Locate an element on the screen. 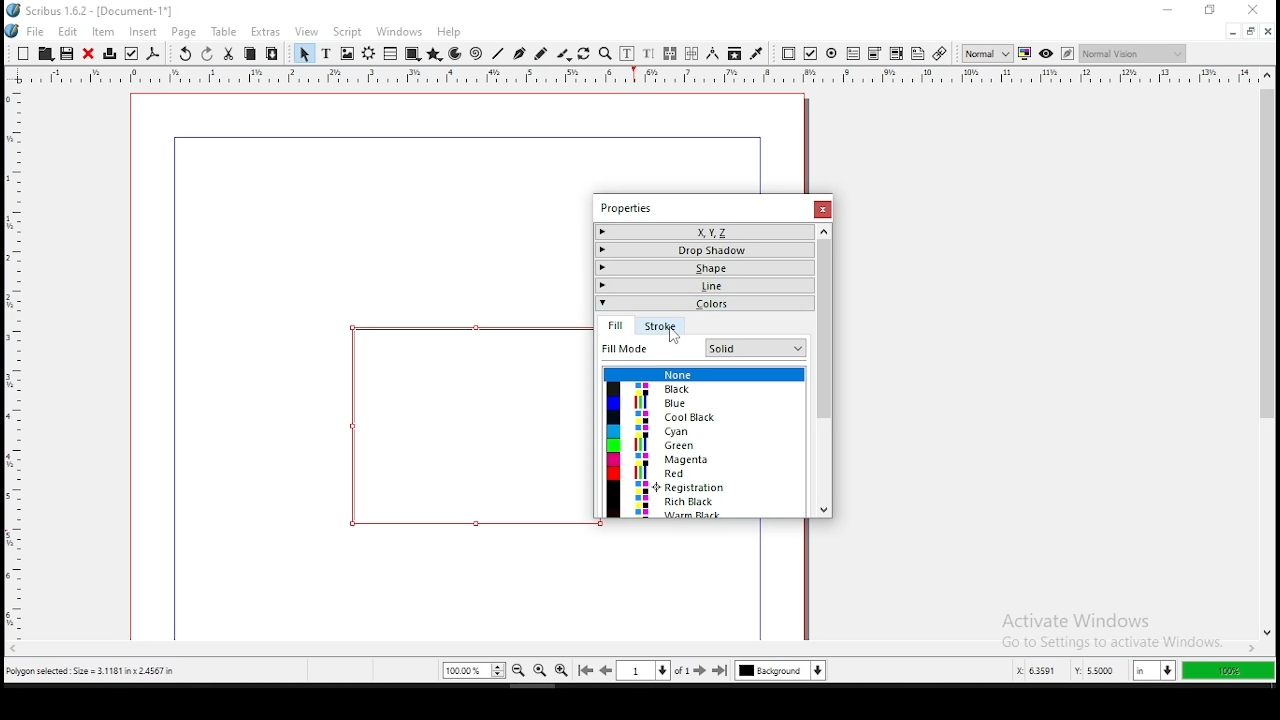 This screenshot has width=1280, height=720. stroke is located at coordinates (657, 326).